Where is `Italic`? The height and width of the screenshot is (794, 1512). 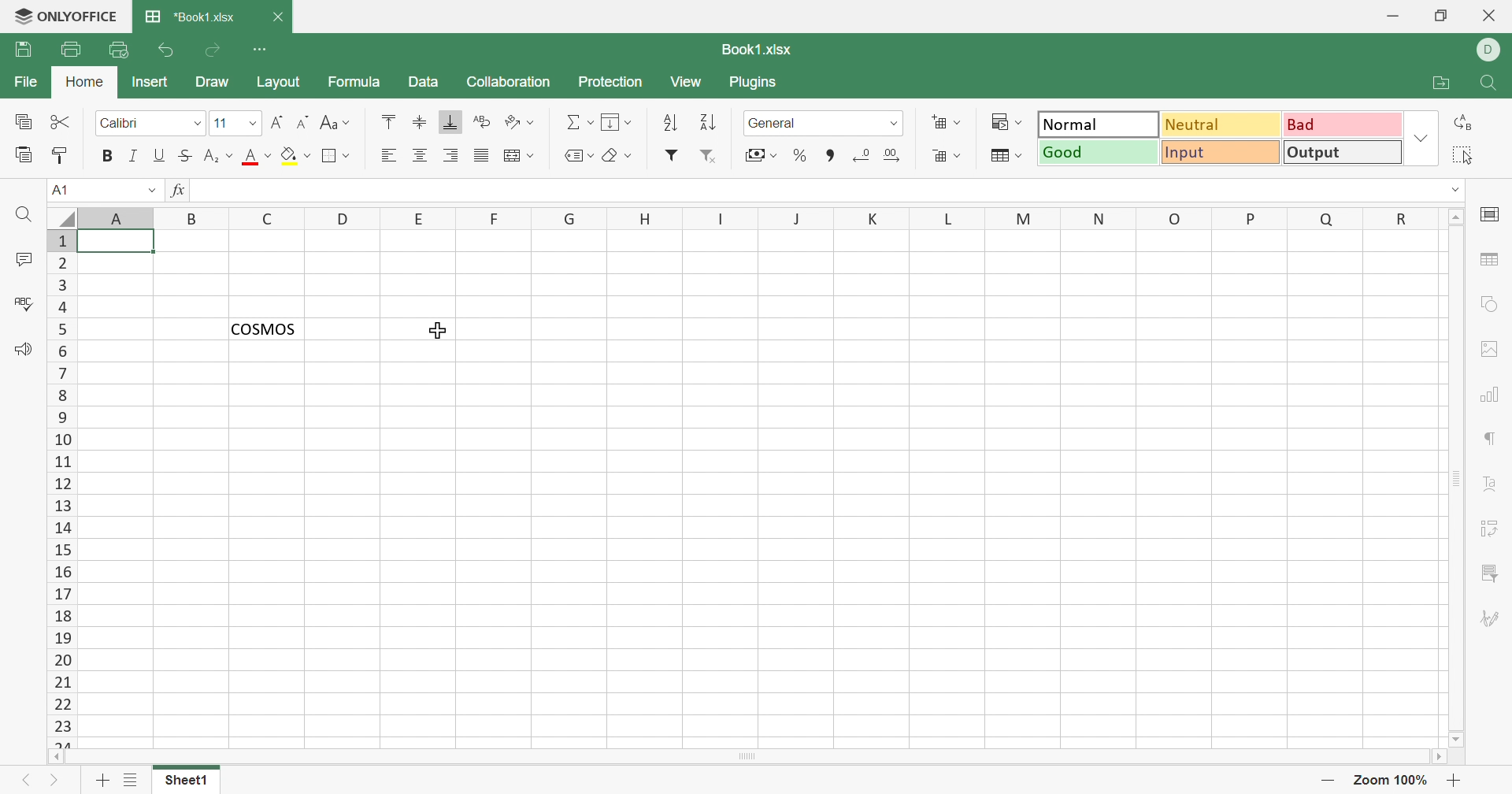
Italic is located at coordinates (133, 156).